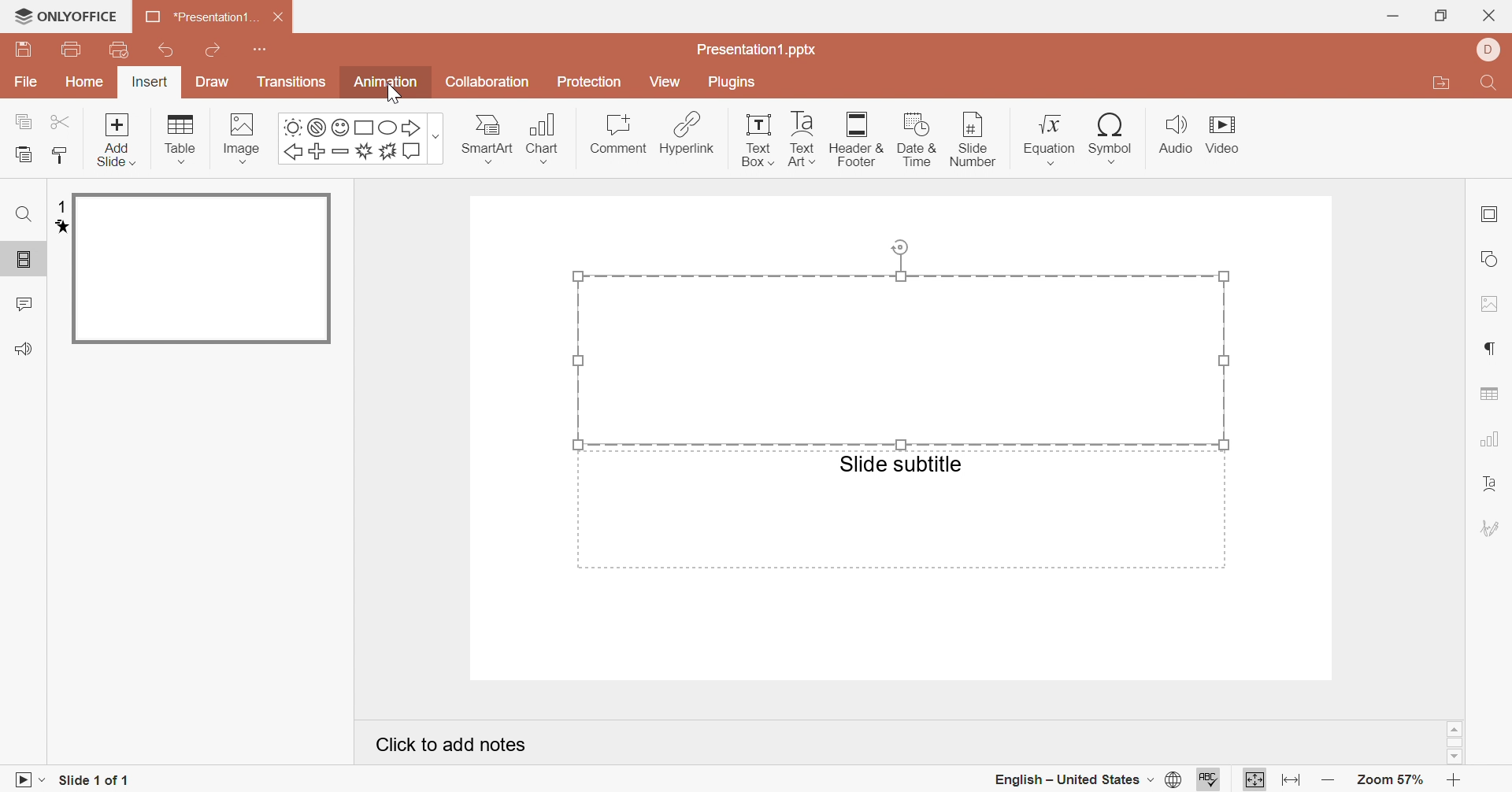 This screenshot has height=792, width=1512. Describe the element at coordinates (23, 302) in the screenshot. I see `comments` at that location.